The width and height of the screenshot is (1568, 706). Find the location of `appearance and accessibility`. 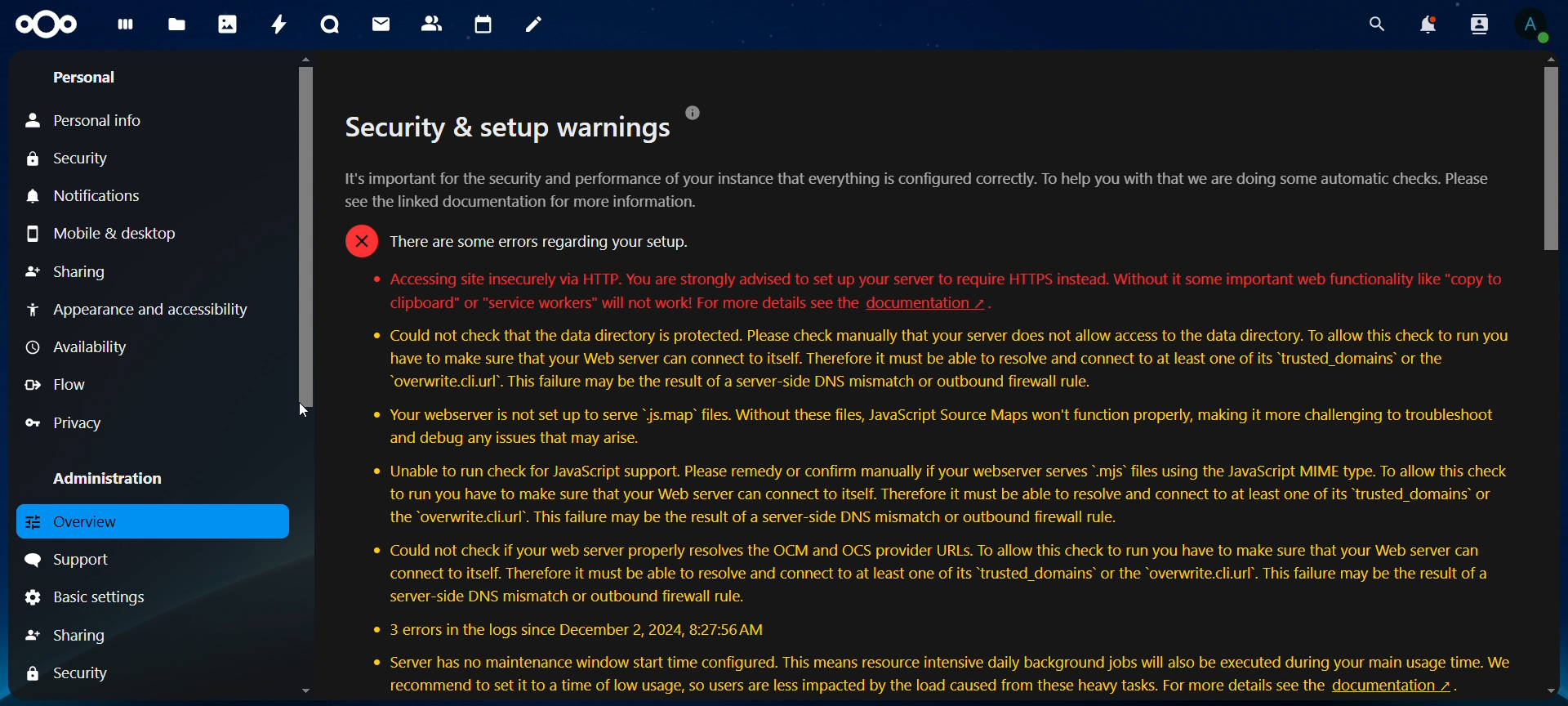

appearance and accessibility is located at coordinates (136, 309).